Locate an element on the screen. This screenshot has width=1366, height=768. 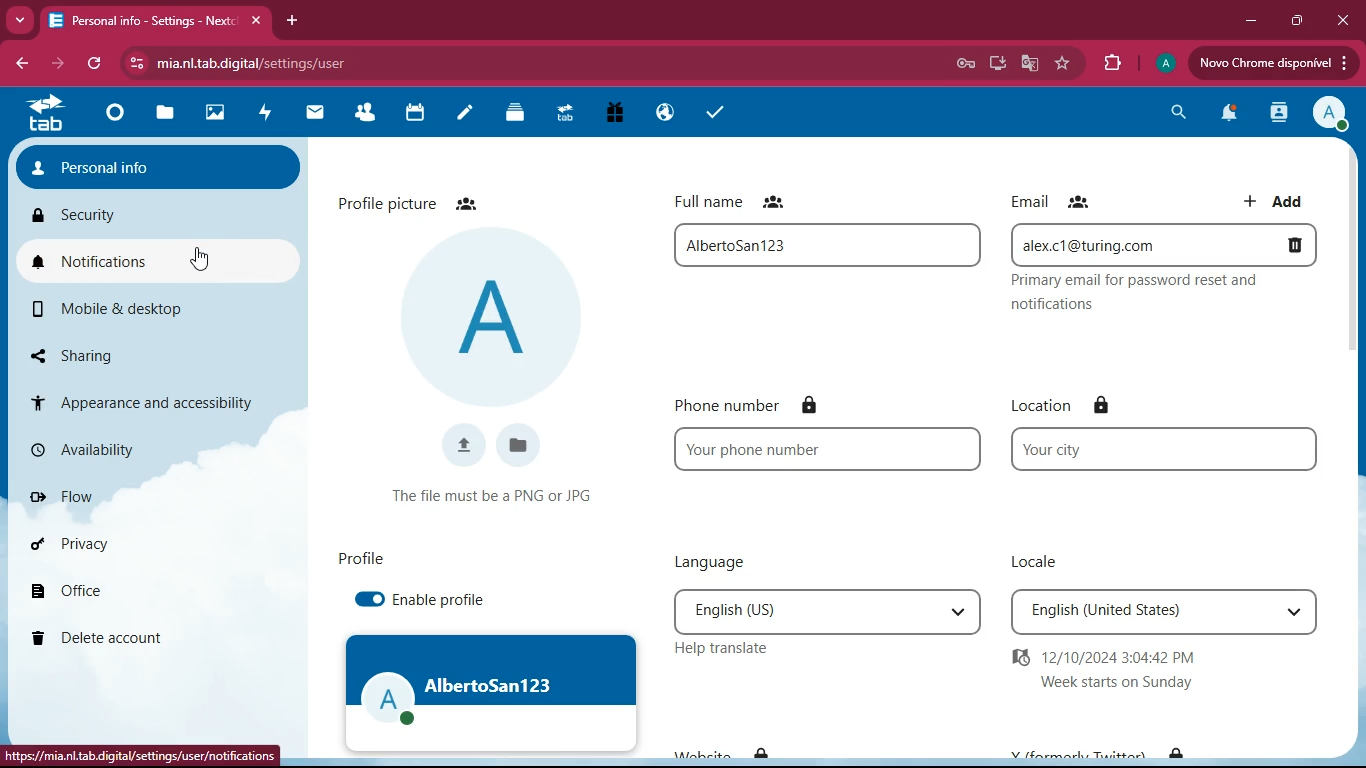
url is located at coordinates (141, 755).